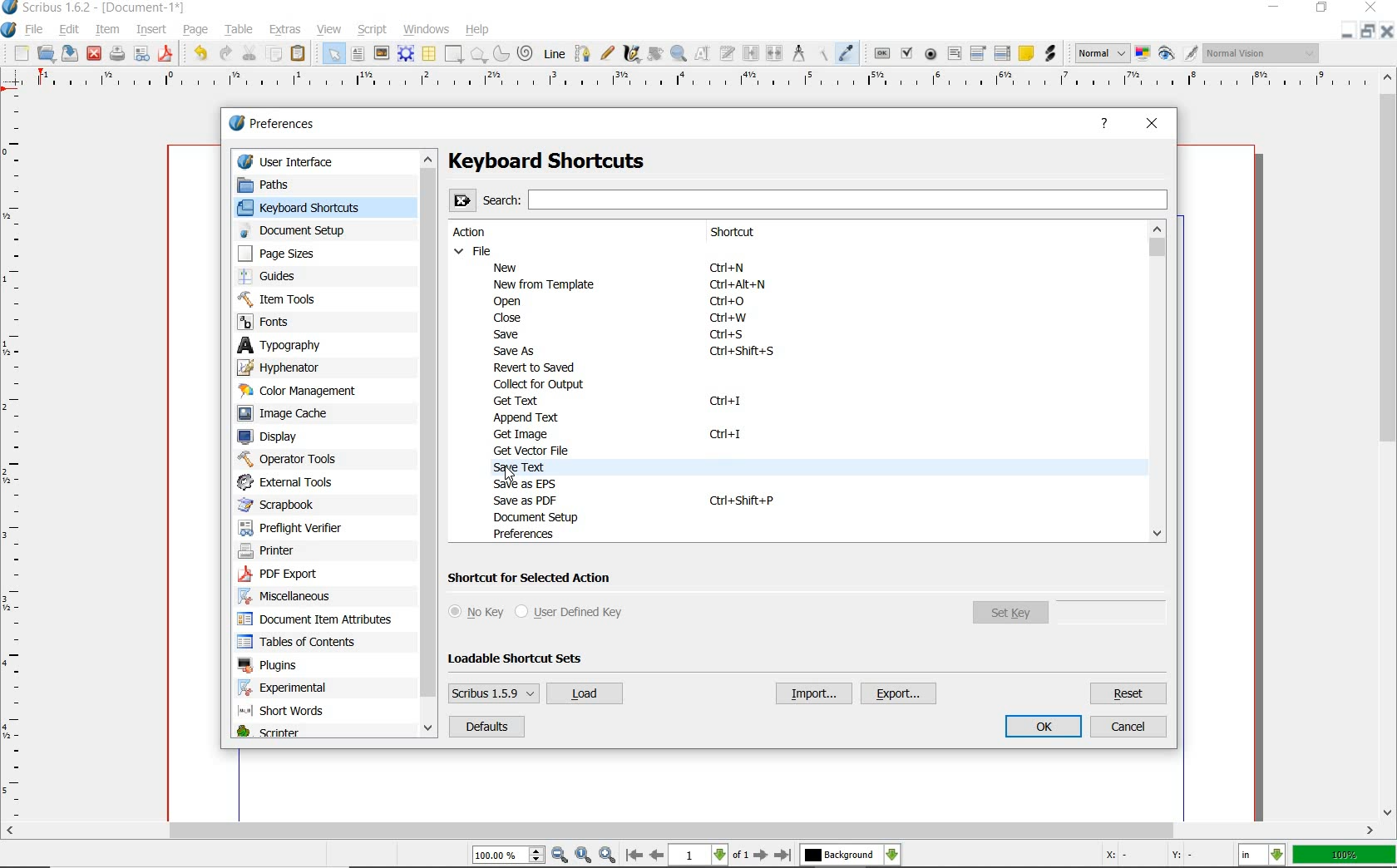 The image size is (1397, 868). I want to click on pdf push button, so click(882, 54).